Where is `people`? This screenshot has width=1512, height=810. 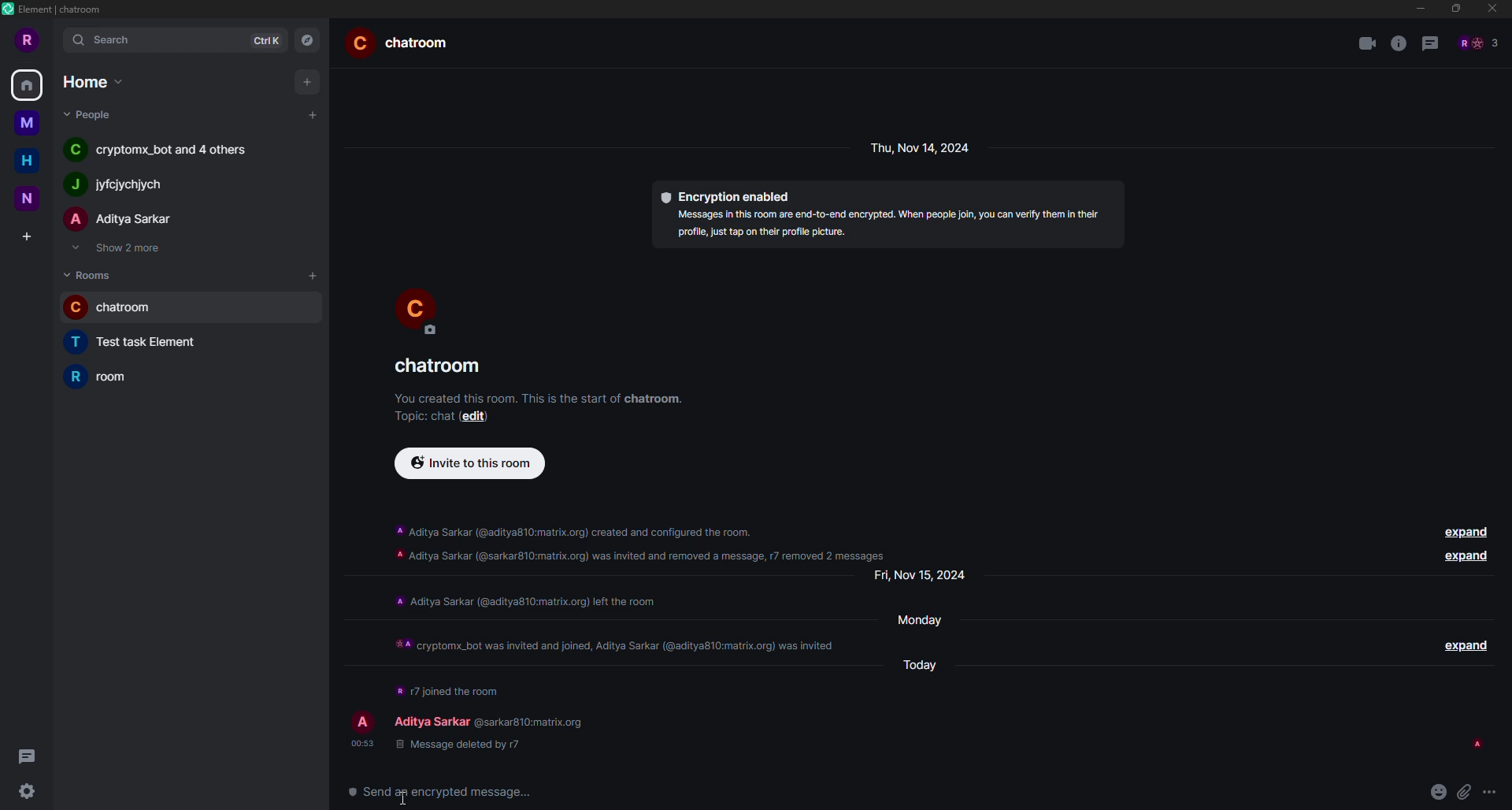
people is located at coordinates (121, 220).